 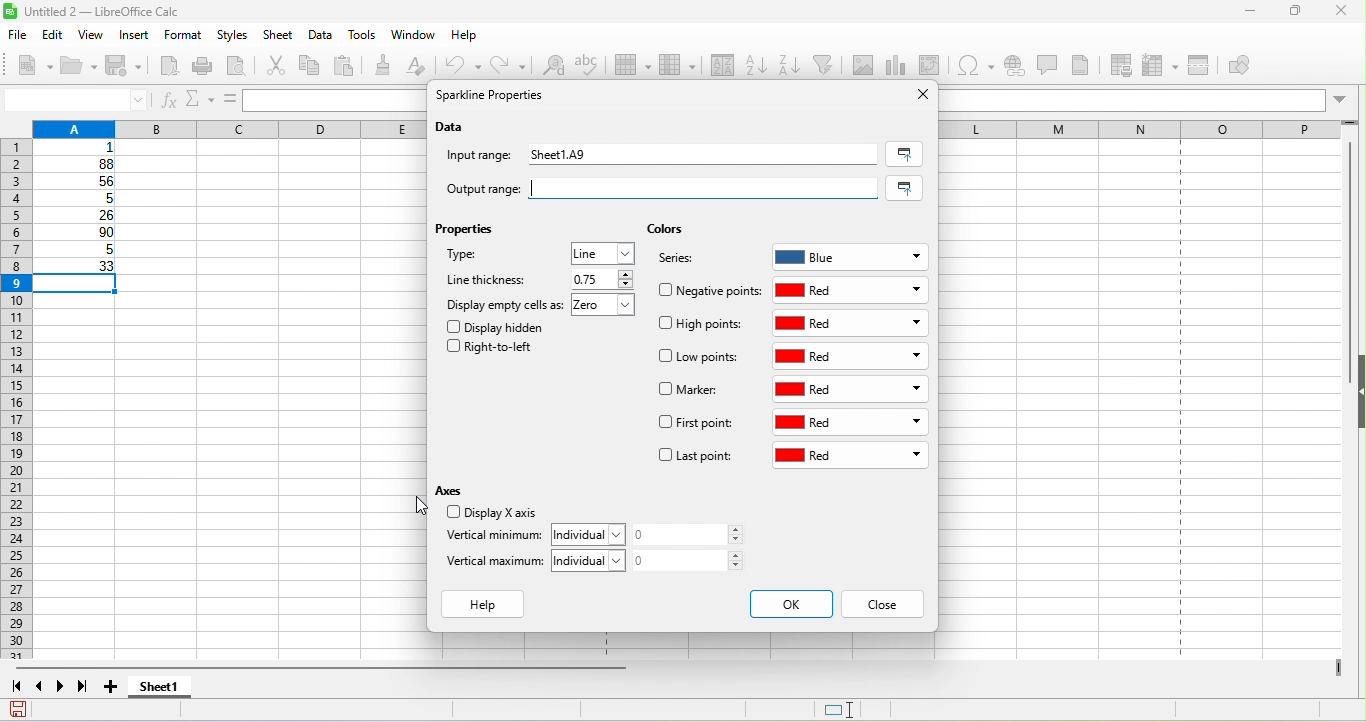 I want to click on drag to view next columns, so click(x=1339, y=668).